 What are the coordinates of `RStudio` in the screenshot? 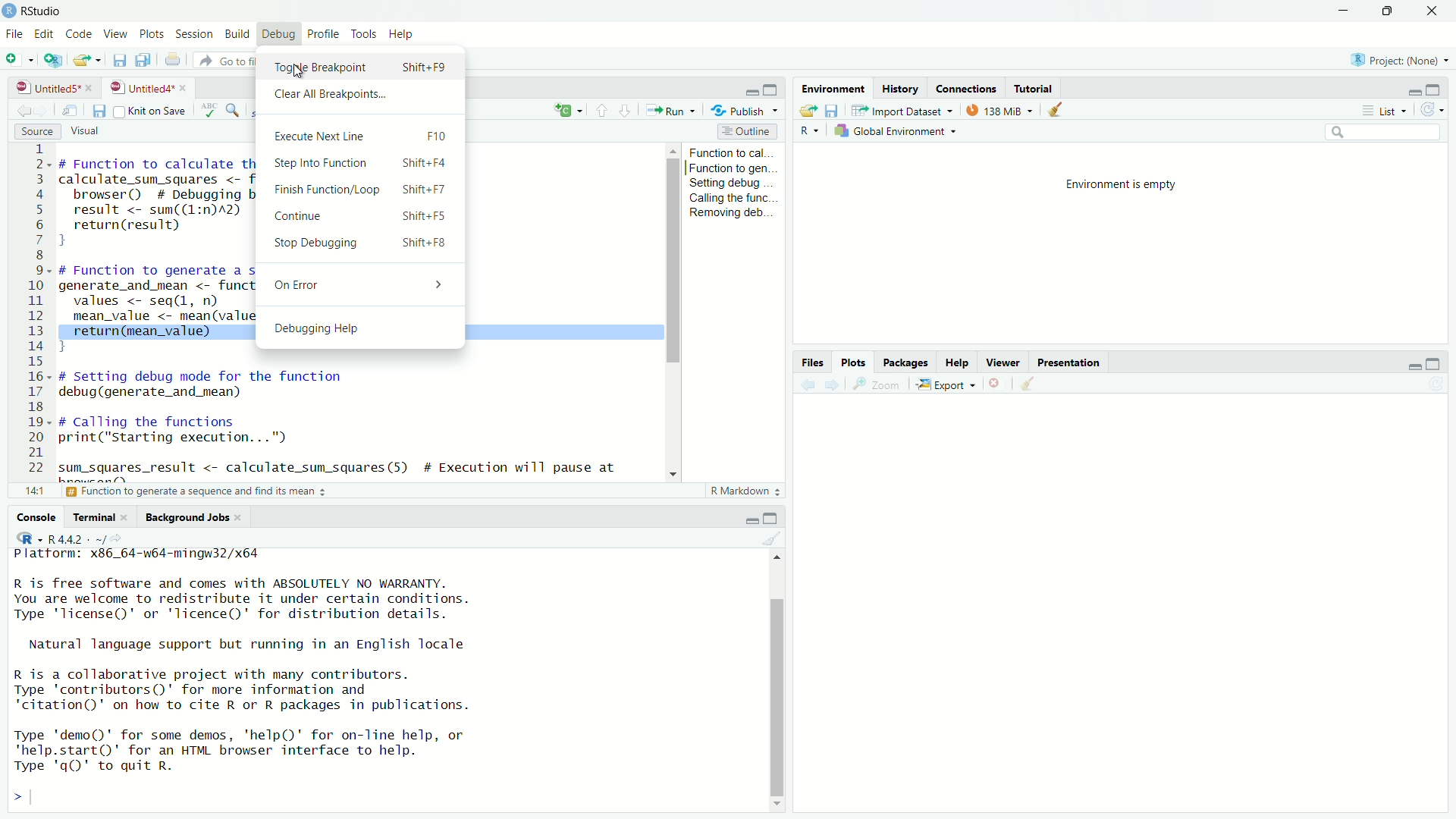 It's located at (45, 11).